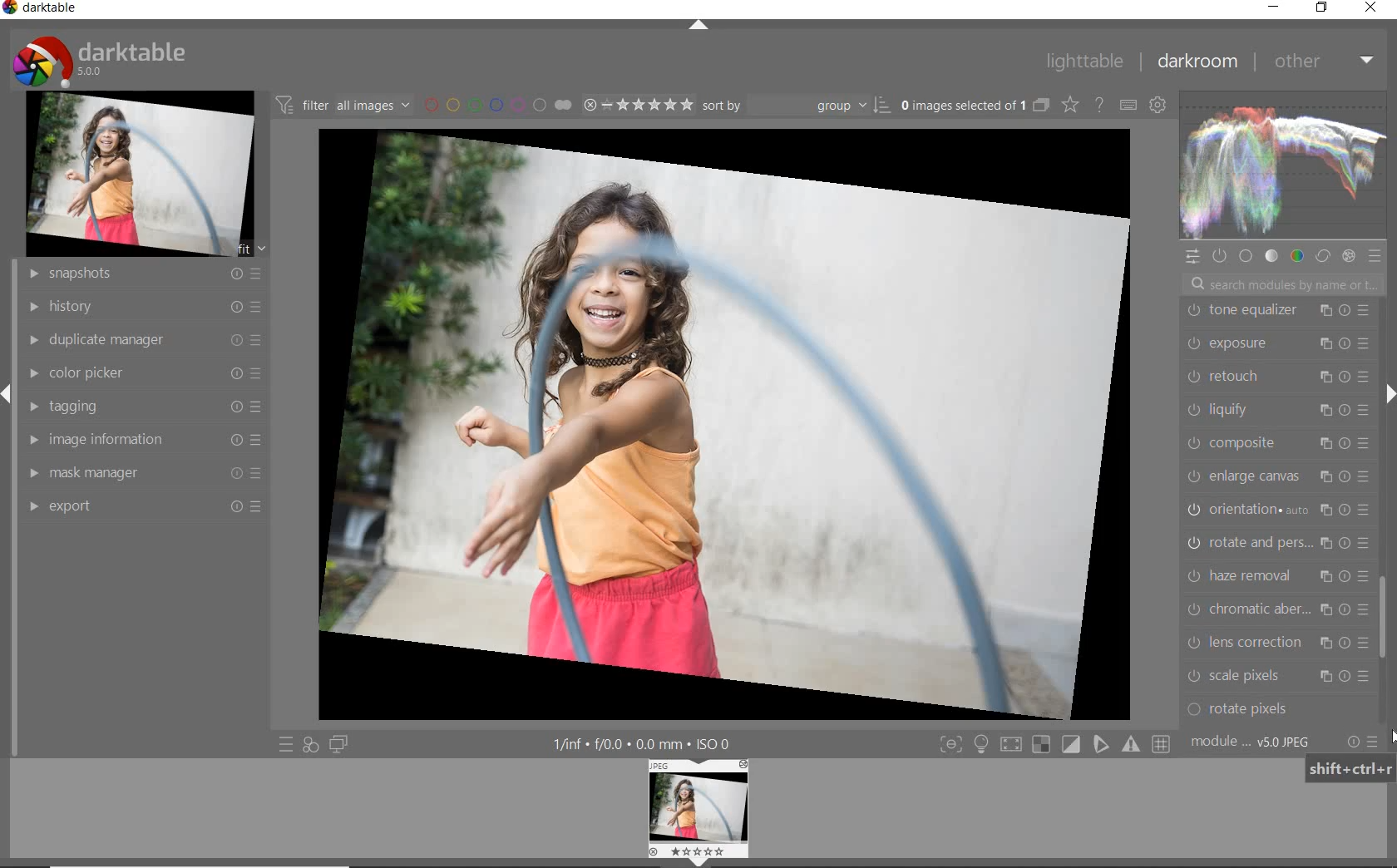 This screenshot has height=868, width=1397. I want to click on filter images, so click(343, 104).